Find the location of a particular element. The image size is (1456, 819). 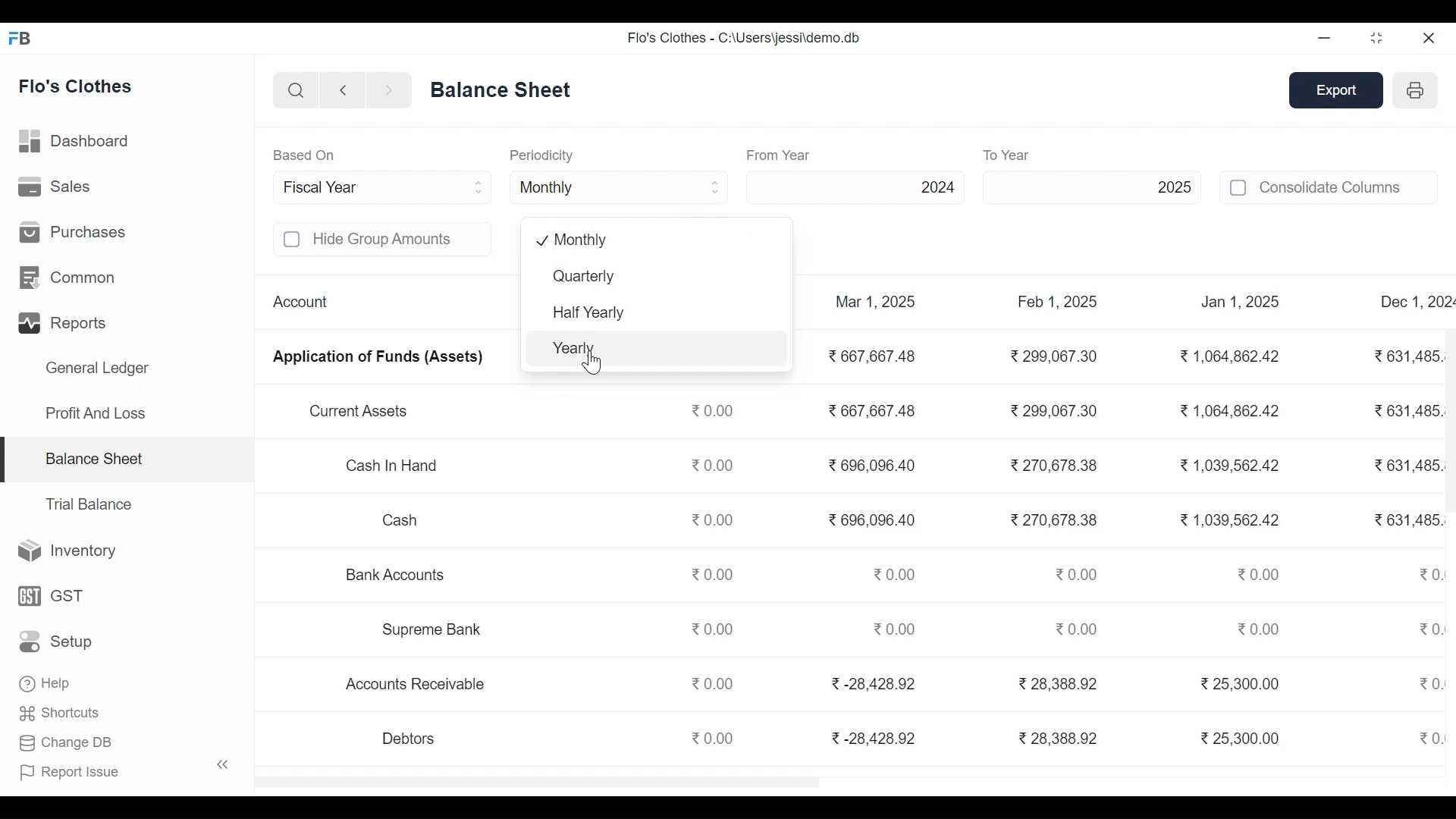

2025 is located at coordinates (1092, 186).